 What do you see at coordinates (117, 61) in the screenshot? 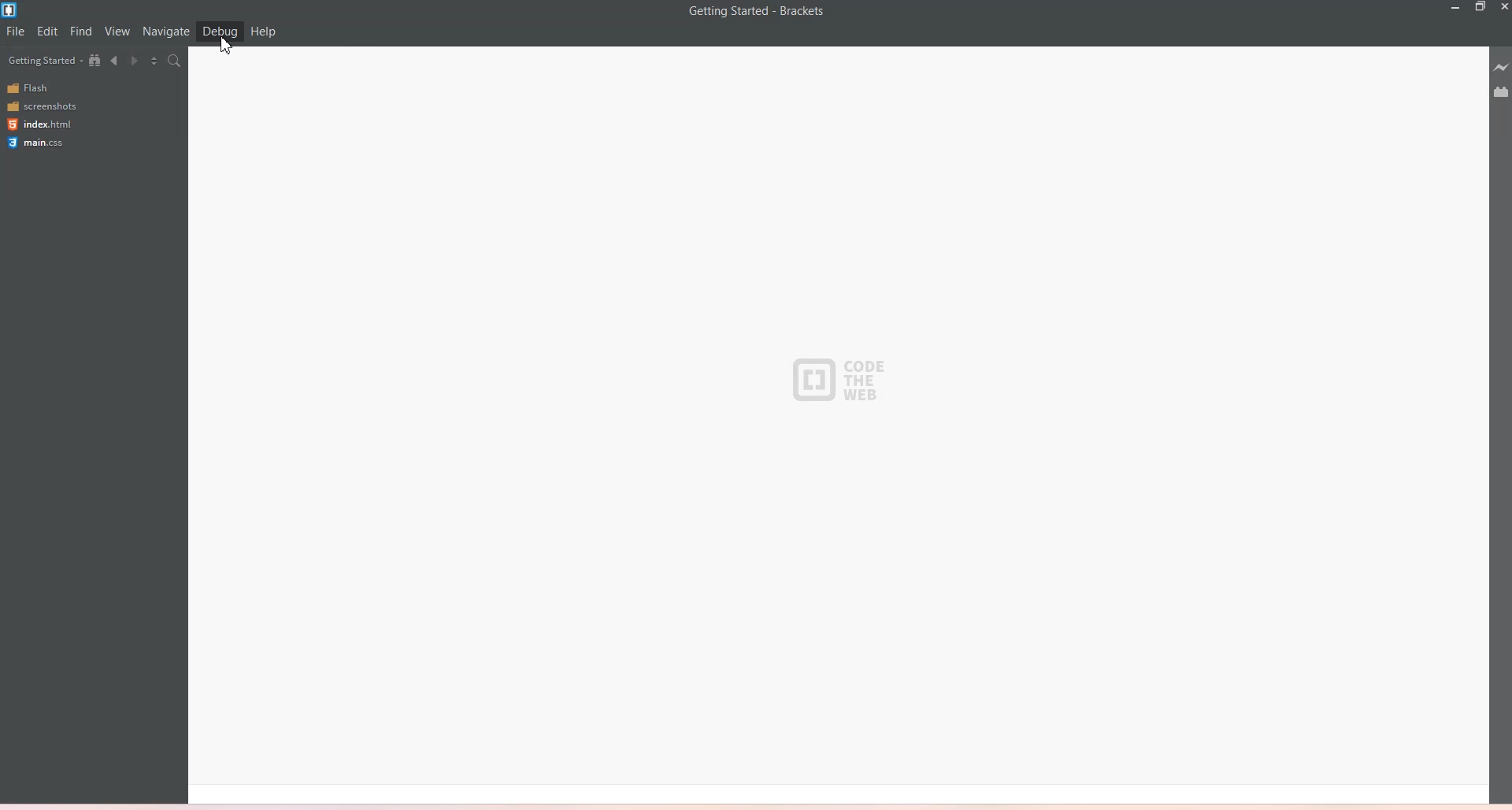
I see `Navigate Backwards` at bounding box center [117, 61].